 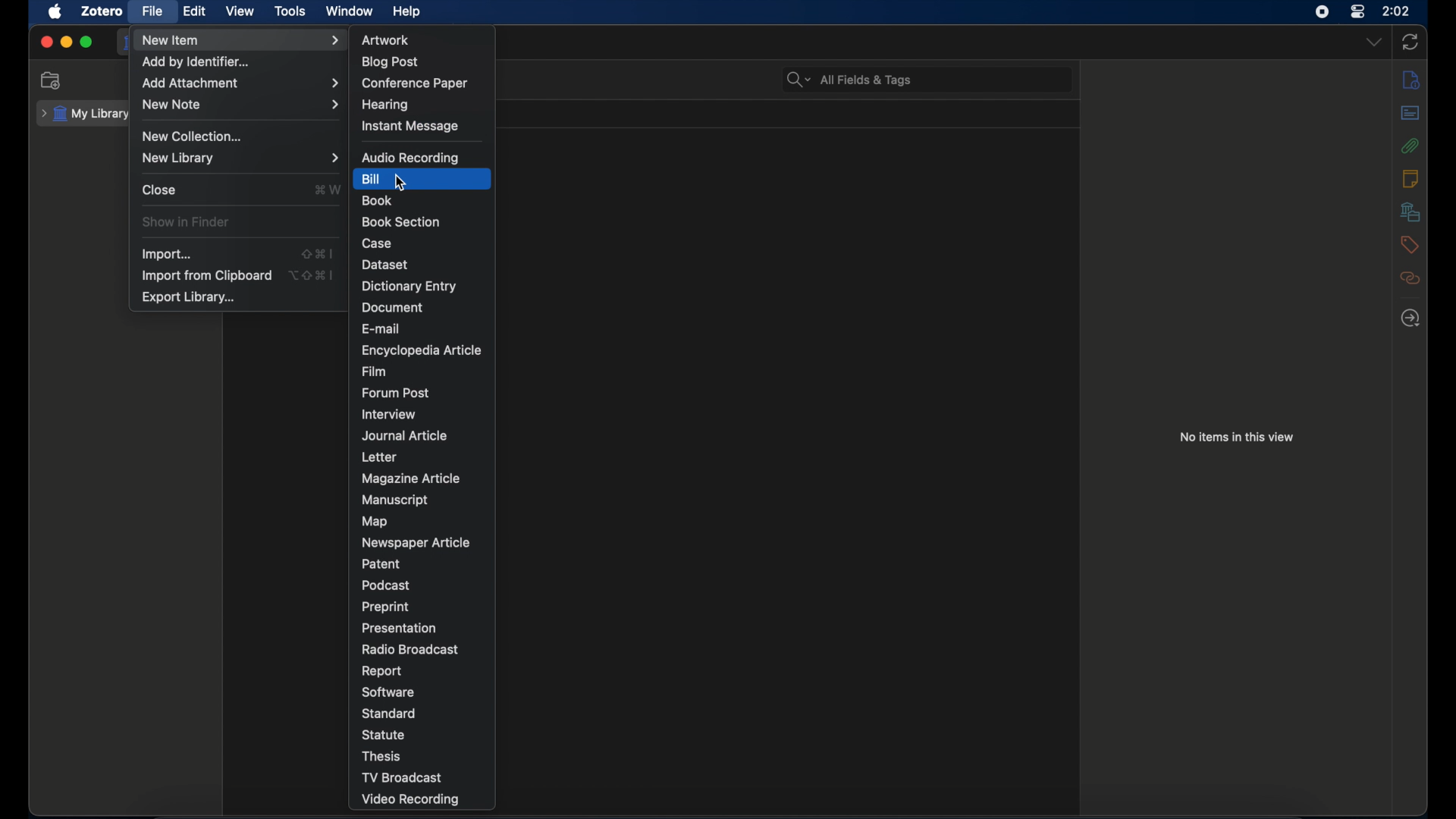 What do you see at coordinates (1412, 79) in the screenshot?
I see `info` at bounding box center [1412, 79].